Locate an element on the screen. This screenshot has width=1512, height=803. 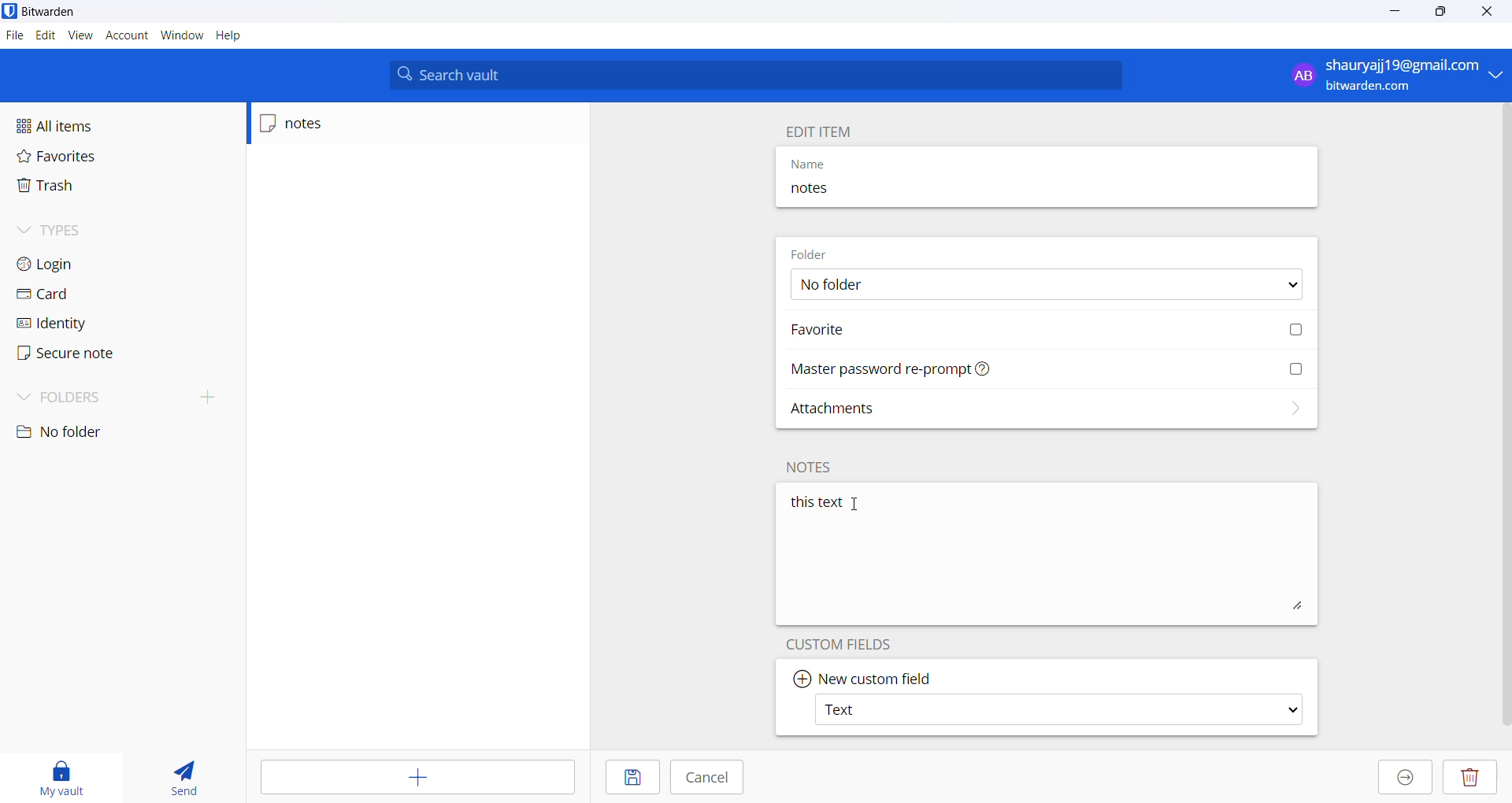
folder is located at coordinates (820, 252).